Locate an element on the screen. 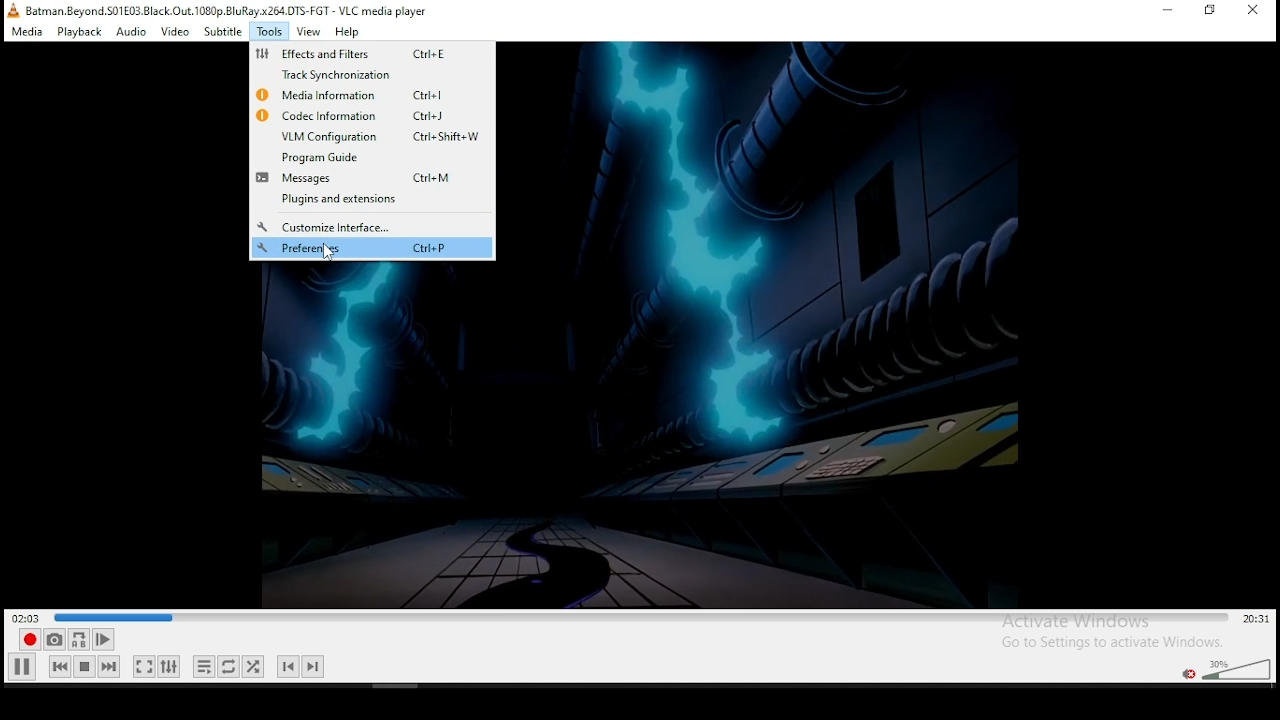  customize interface is located at coordinates (366, 227).